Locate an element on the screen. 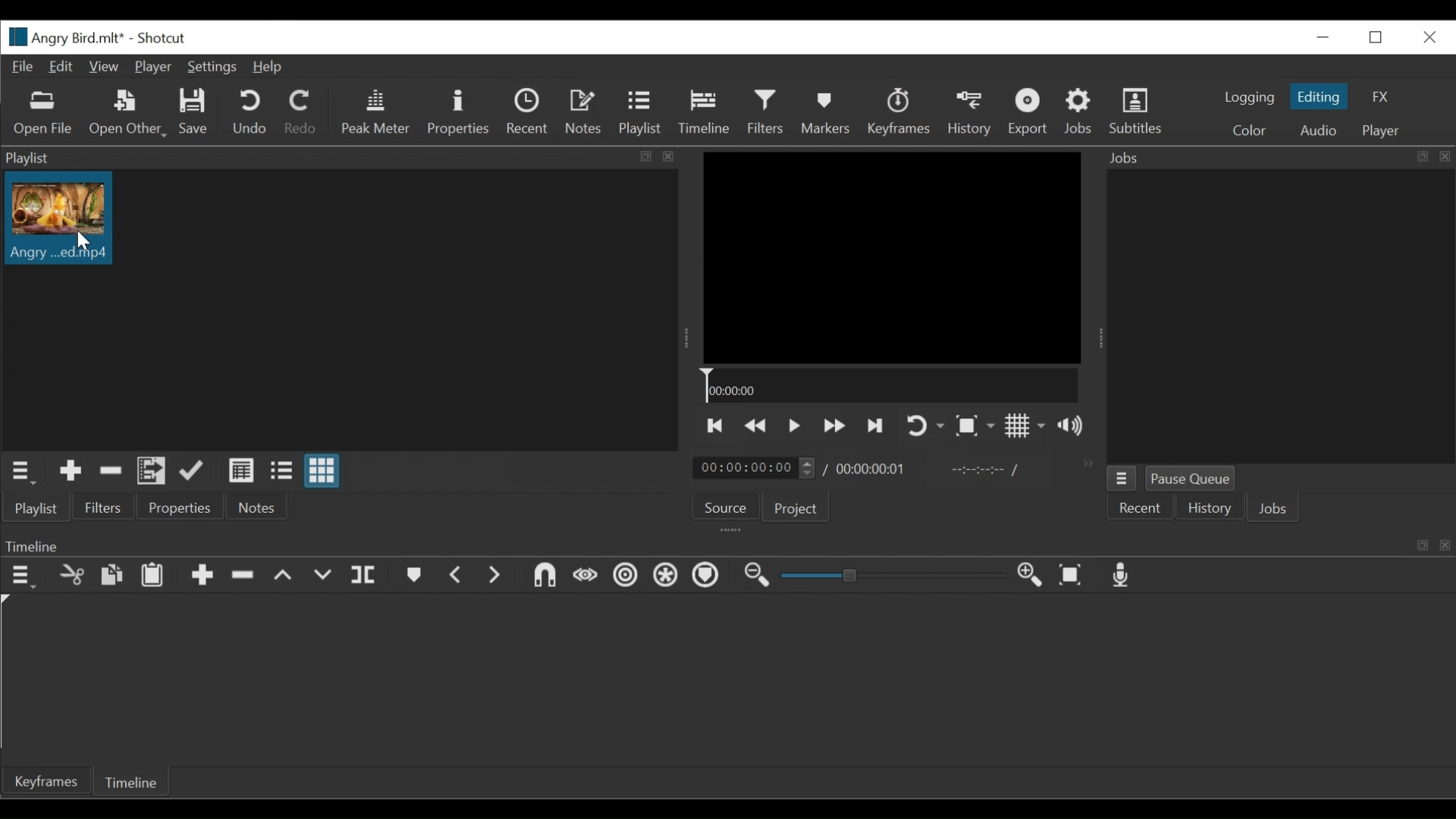  File is located at coordinates (21, 66).